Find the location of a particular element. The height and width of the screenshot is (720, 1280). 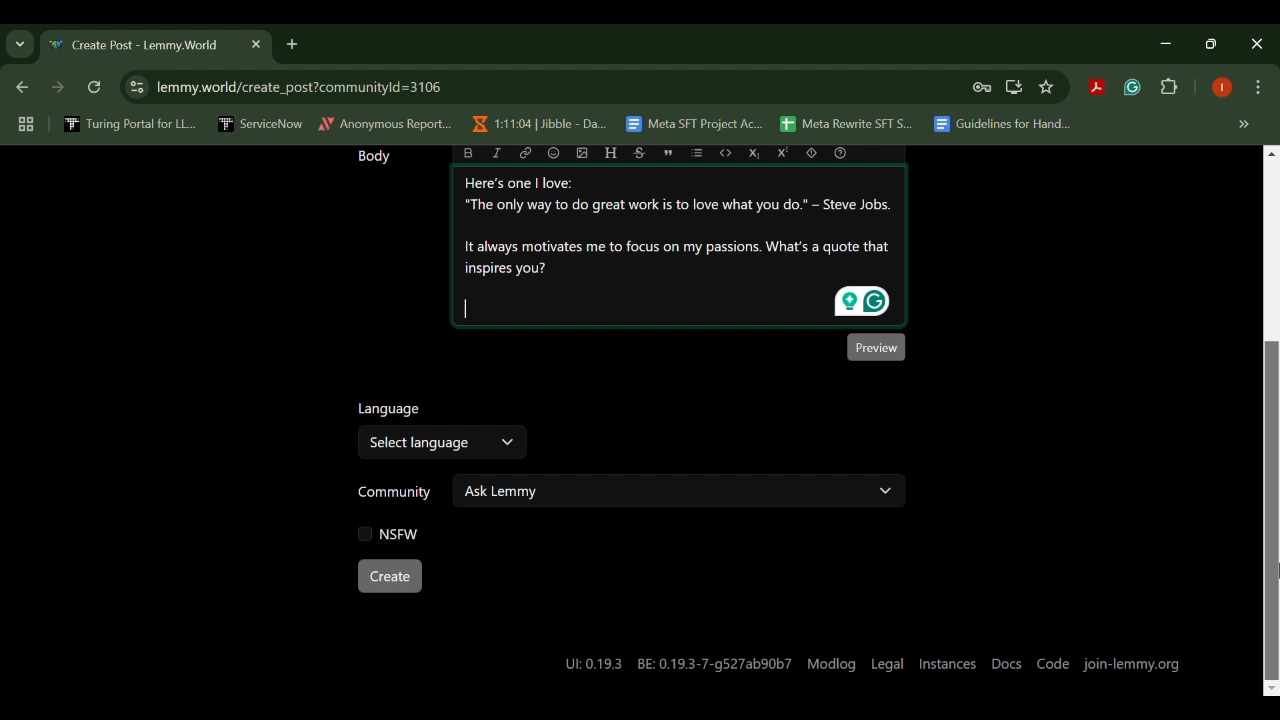

Subscript is located at coordinates (754, 153).